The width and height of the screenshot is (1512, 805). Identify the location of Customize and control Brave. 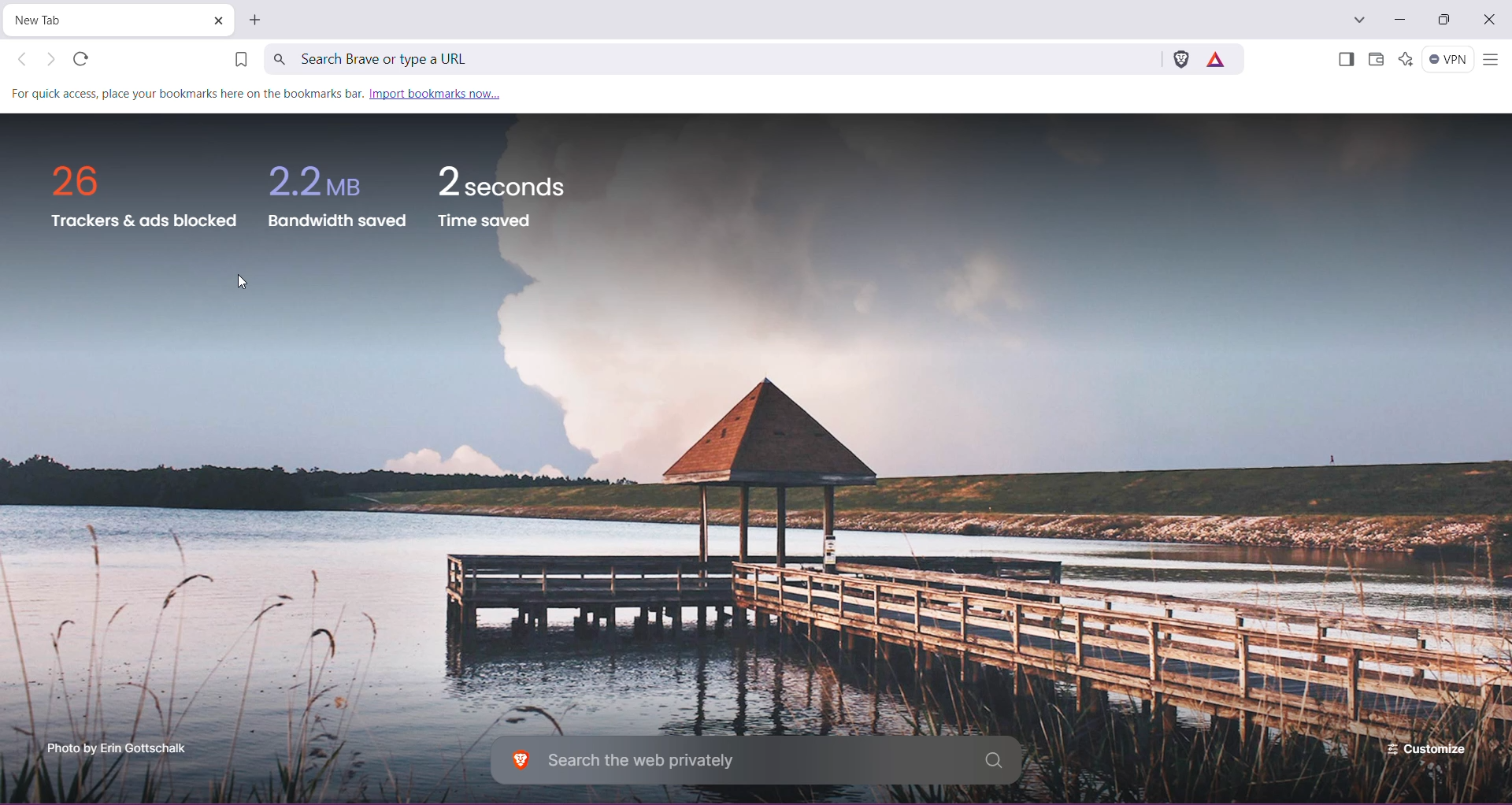
(1492, 60).